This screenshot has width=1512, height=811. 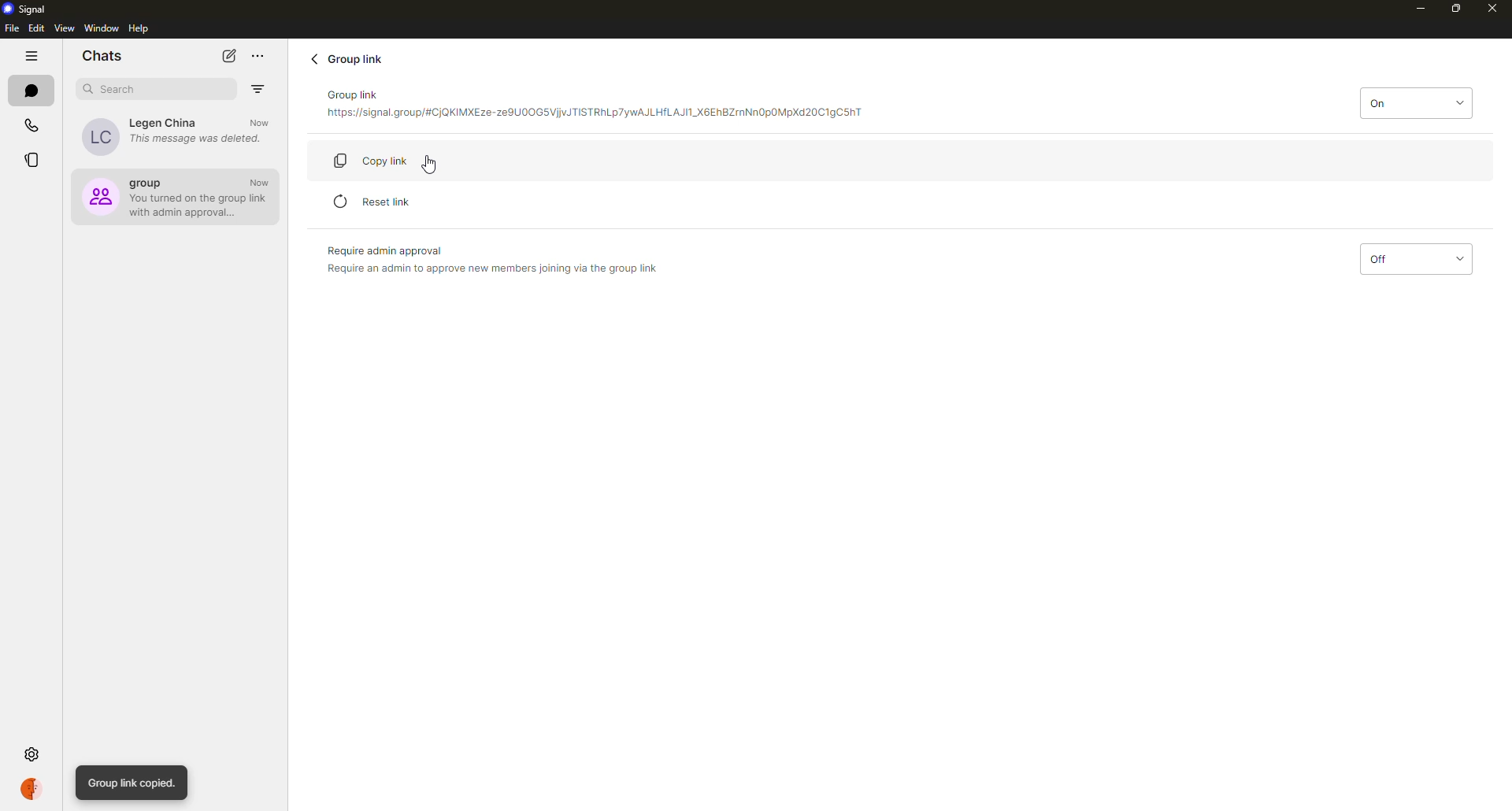 I want to click on group link, so click(x=594, y=106).